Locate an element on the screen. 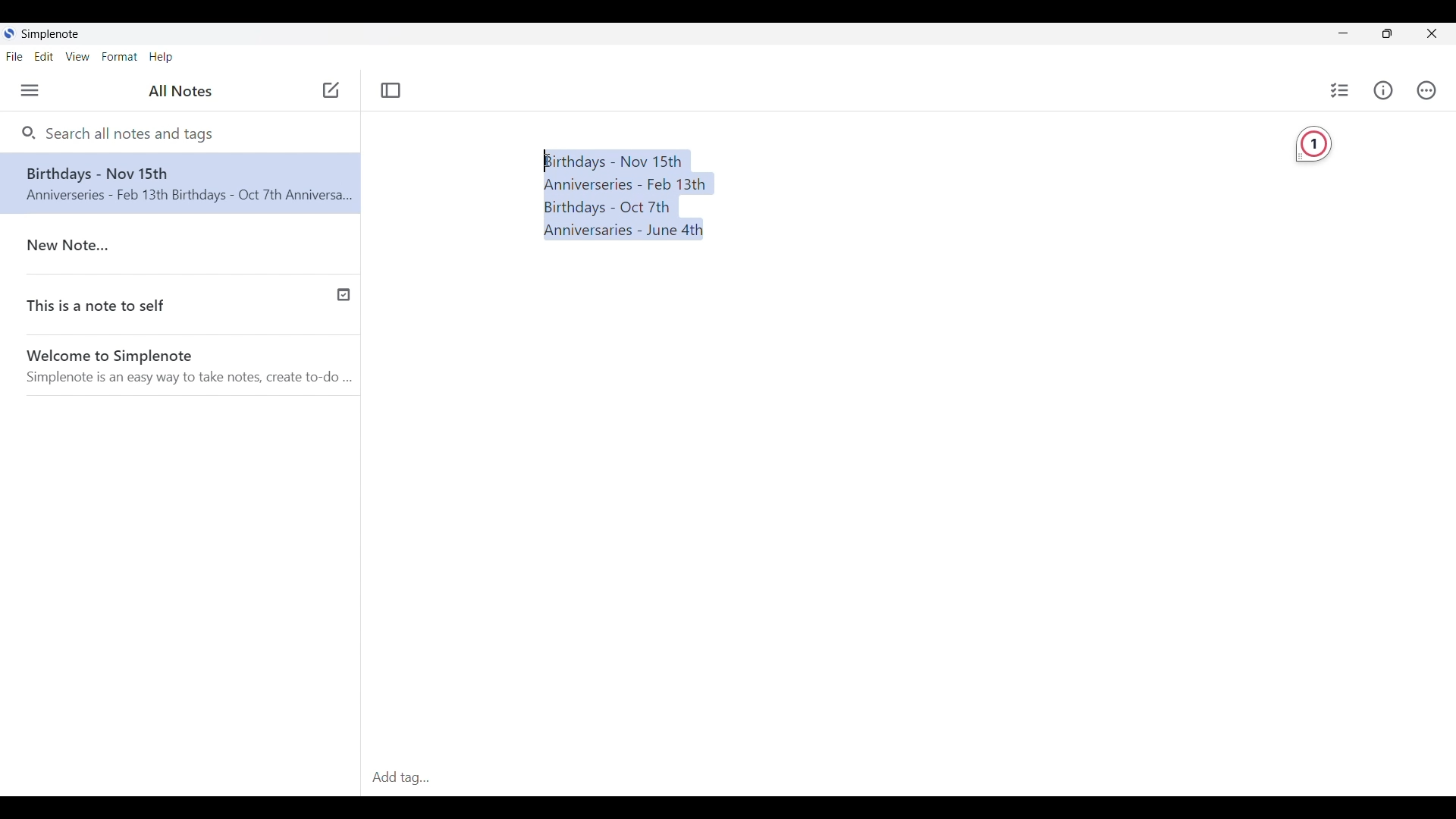 This screenshot has width=1456, height=819. Welcome to Simplenote(Welcome note by software) is located at coordinates (190, 367).